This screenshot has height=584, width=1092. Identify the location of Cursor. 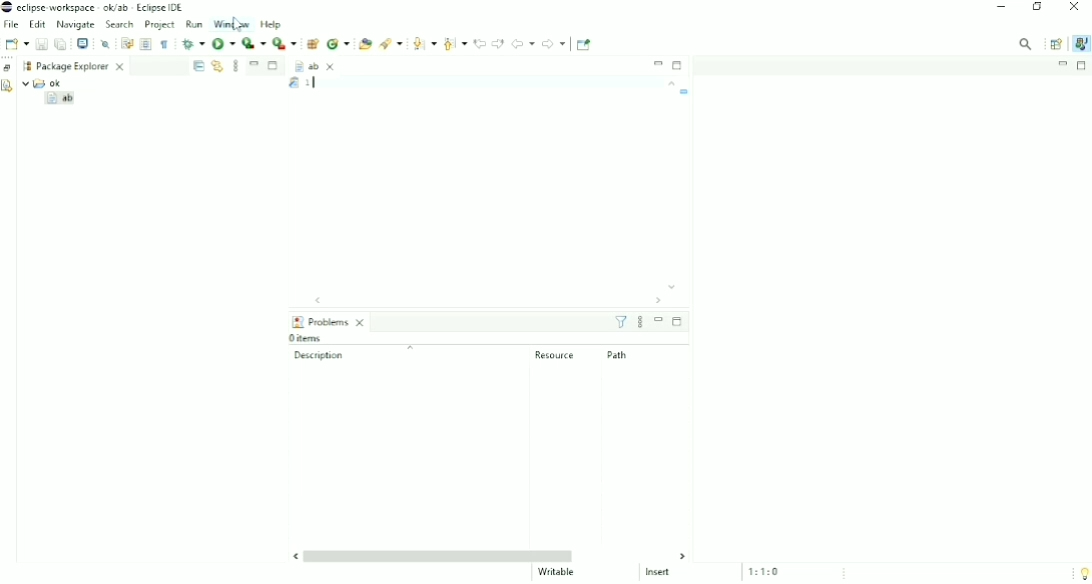
(240, 23).